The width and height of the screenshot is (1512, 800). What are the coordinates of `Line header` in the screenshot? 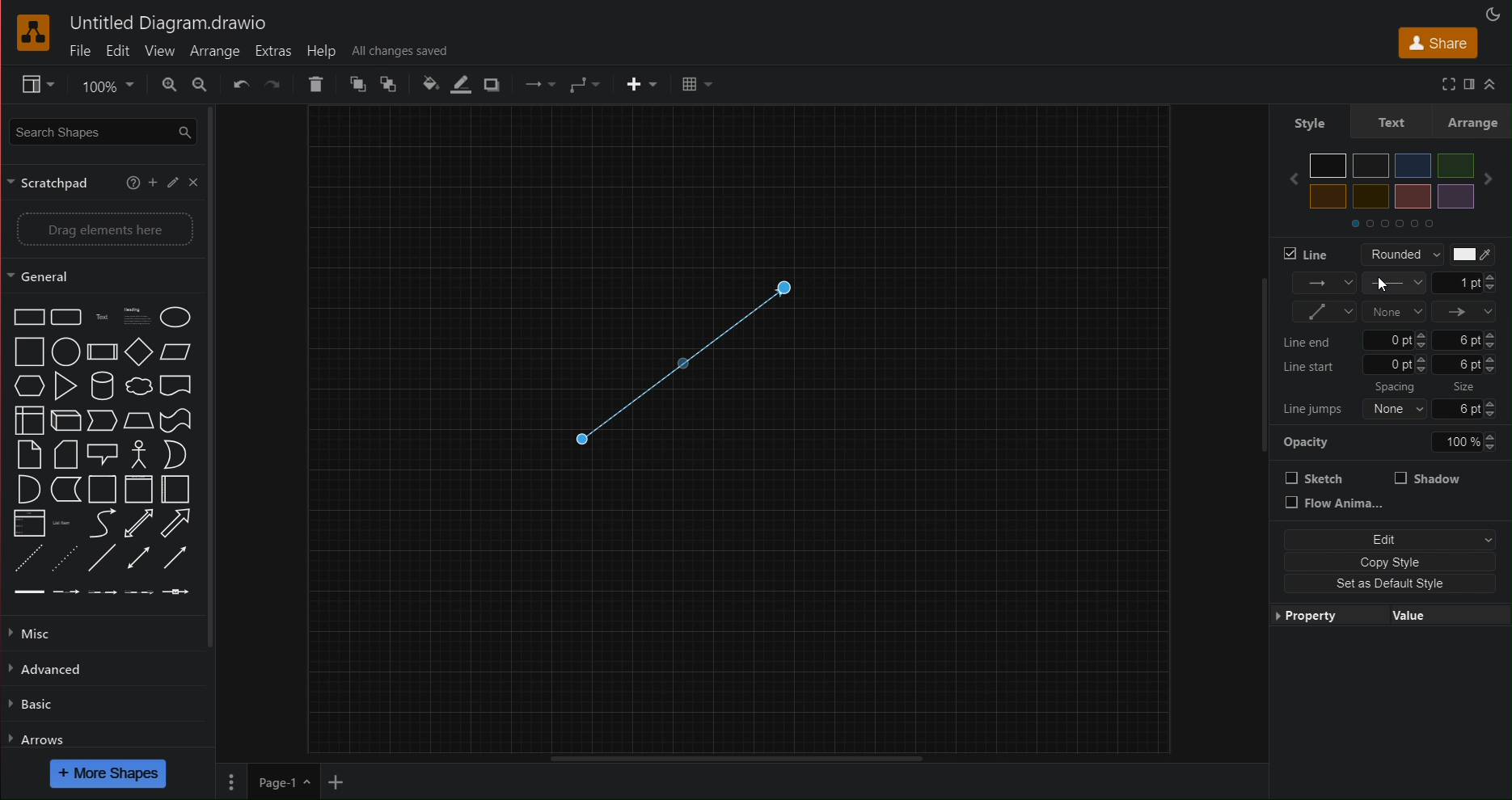 It's located at (1465, 312).